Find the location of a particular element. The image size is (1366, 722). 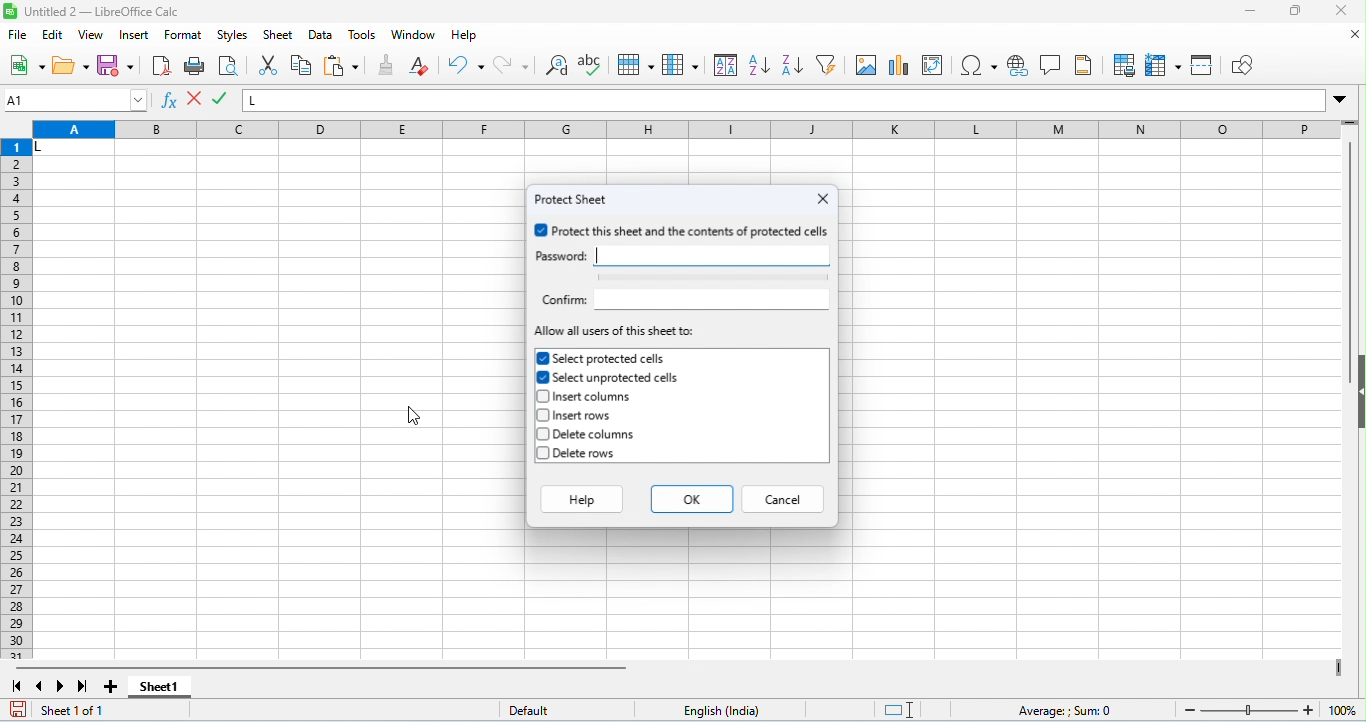

format is located at coordinates (185, 37).